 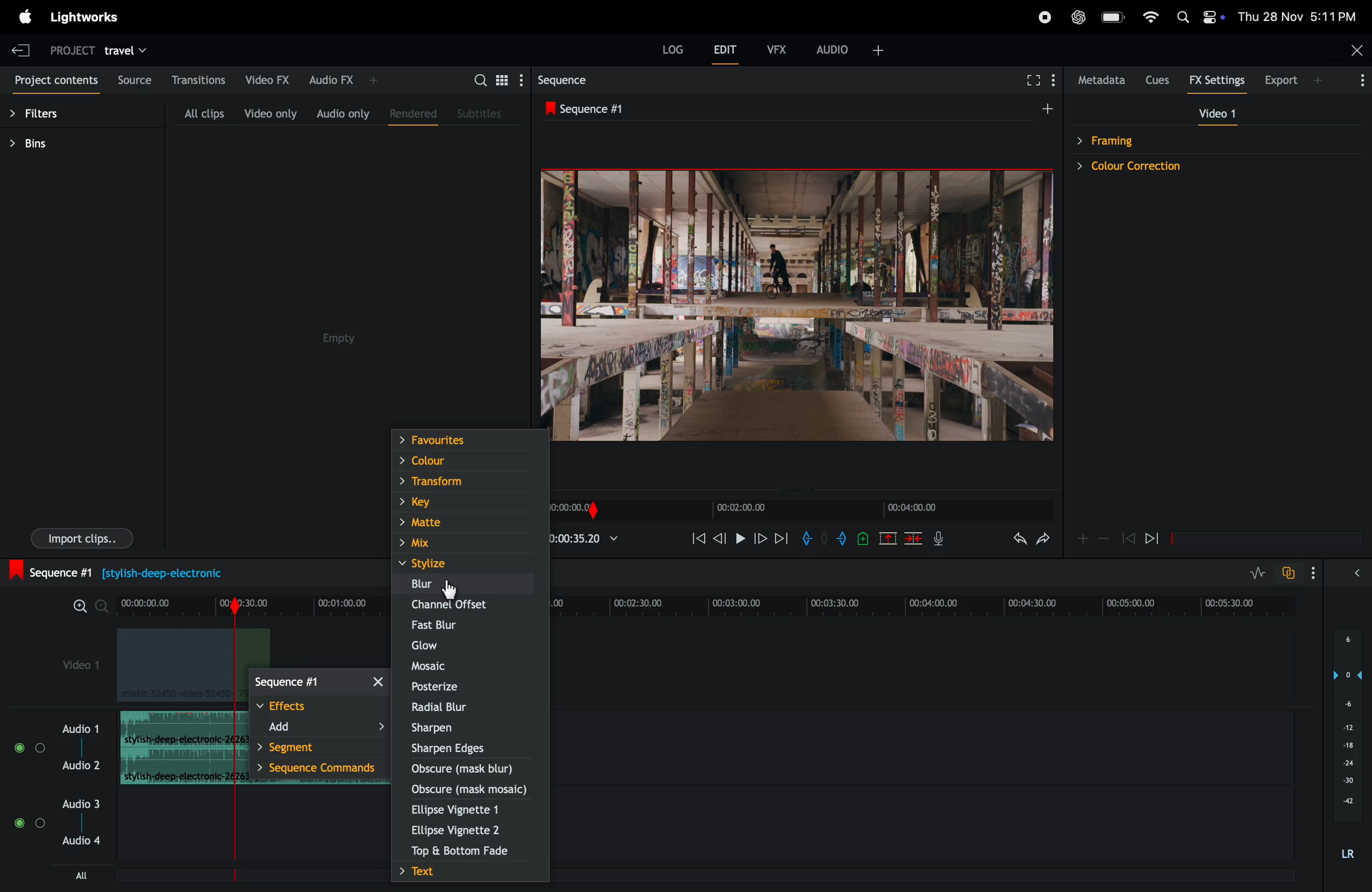 What do you see at coordinates (1039, 112) in the screenshot?
I see `add` at bounding box center [1039, 112].